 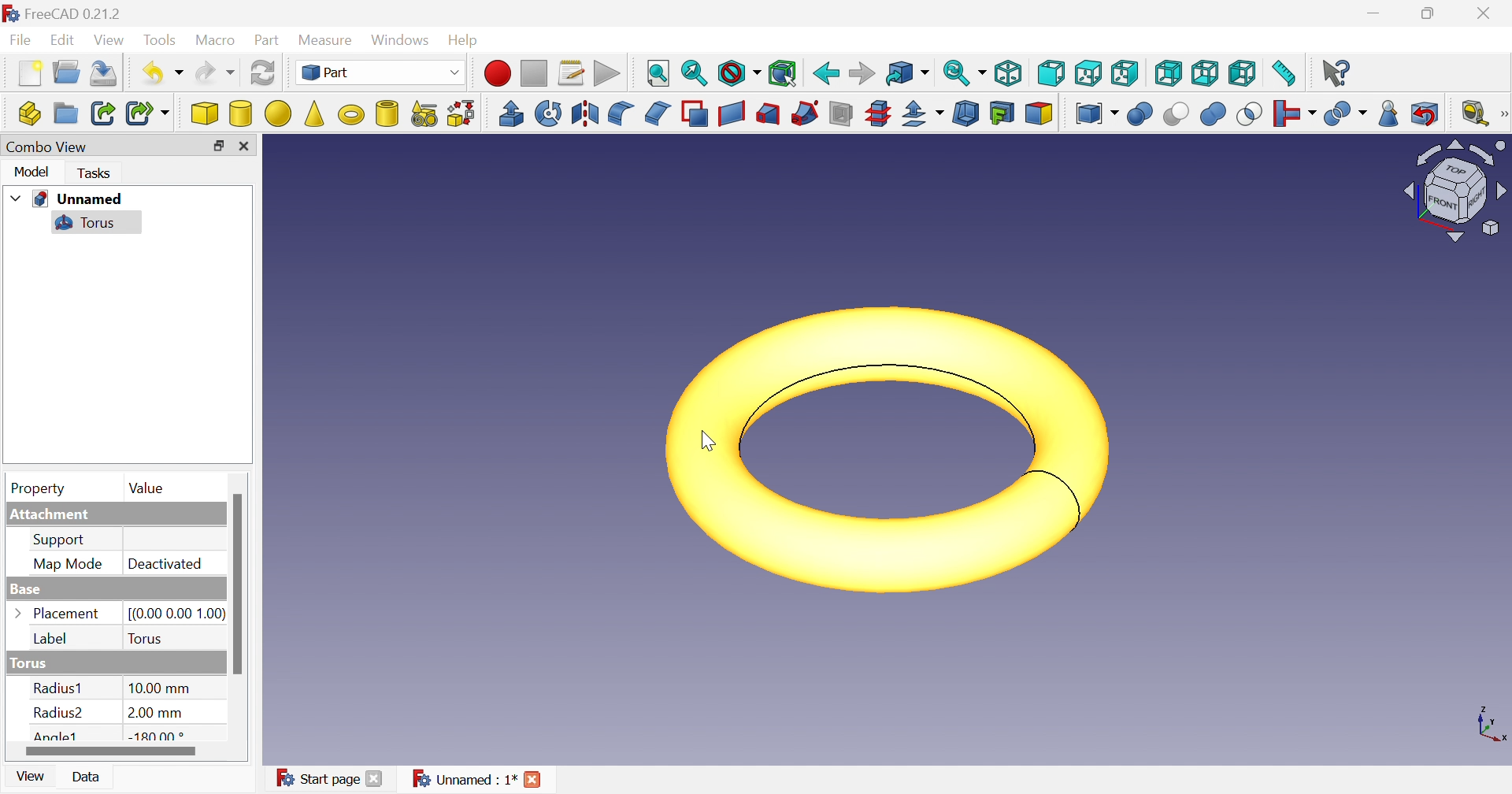 I want to click on Create projection on surface, so click(x=1003, y=114).